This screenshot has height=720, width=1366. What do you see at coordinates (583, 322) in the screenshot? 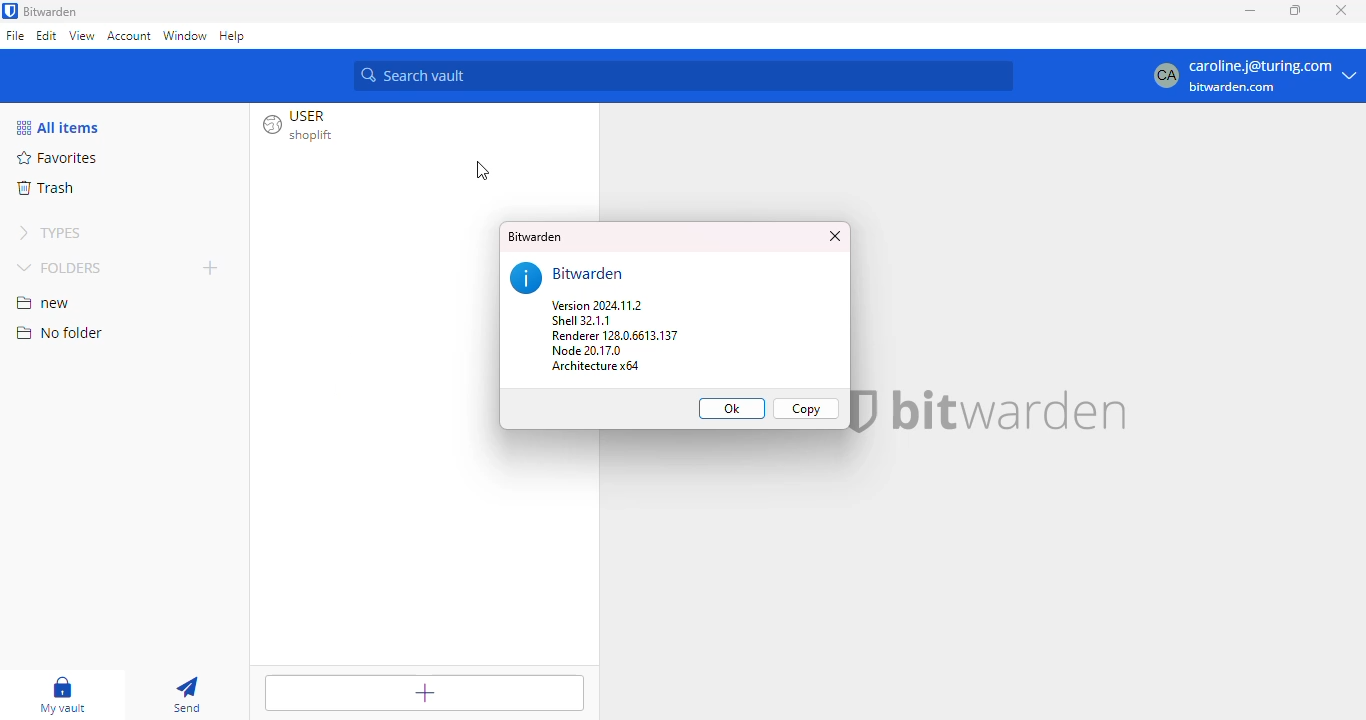
I see `Shell 32.1.1` at bounding box center [583, 322].